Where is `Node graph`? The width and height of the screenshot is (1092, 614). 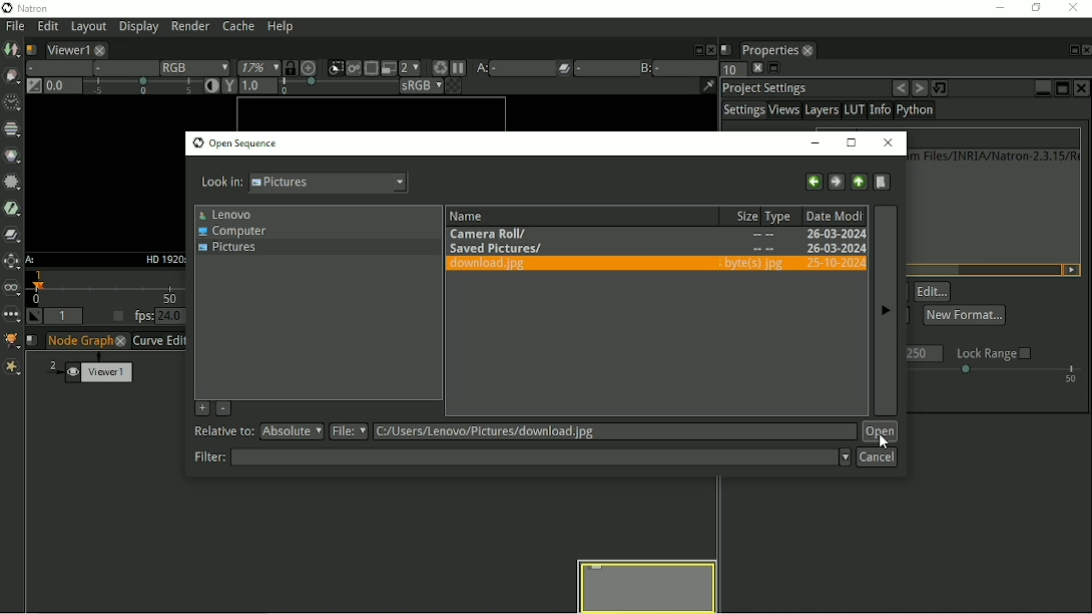 Node graph is located at coordinates (88, 341).